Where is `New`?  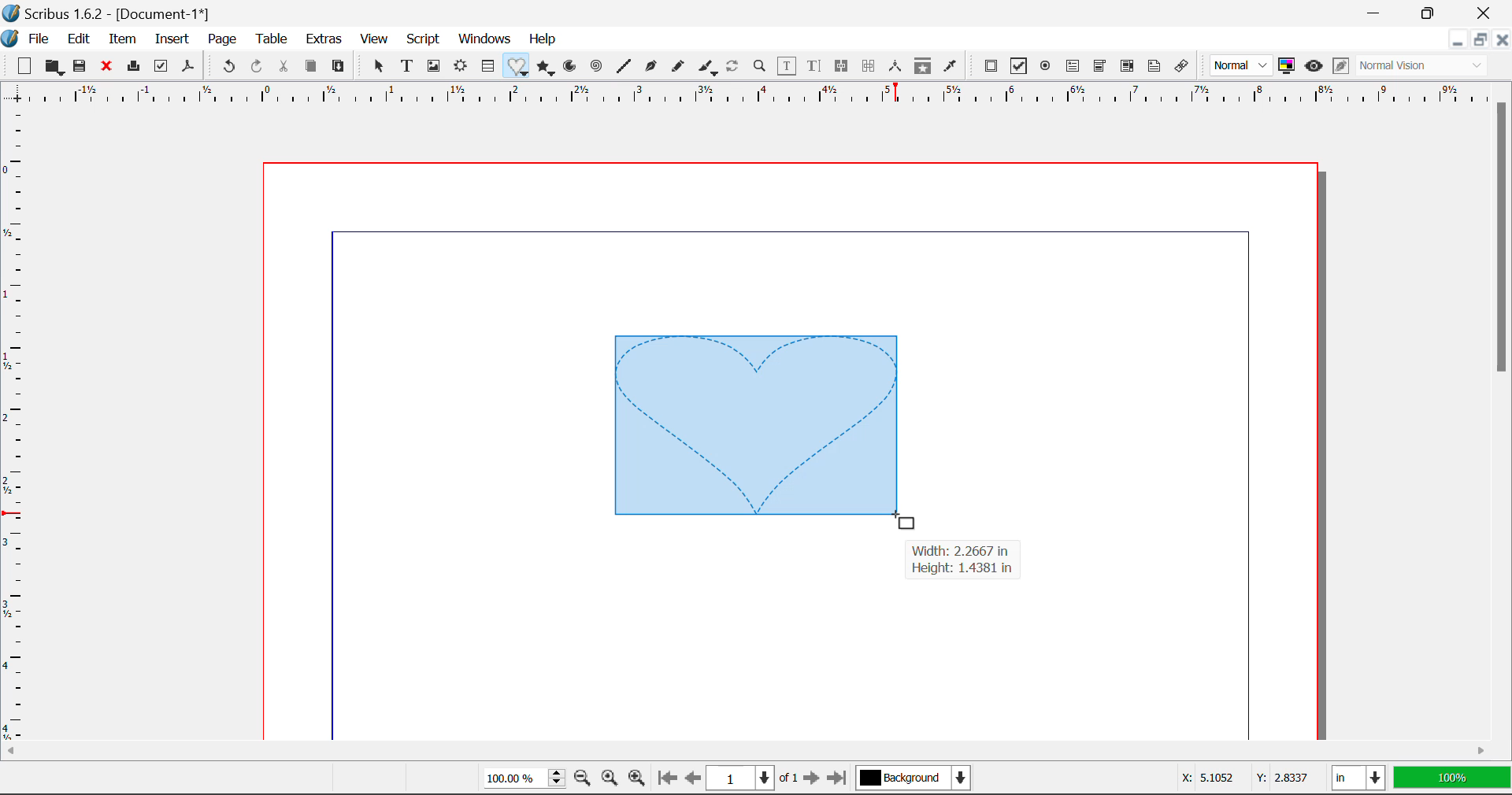 New is located at coordinates (24, 68).